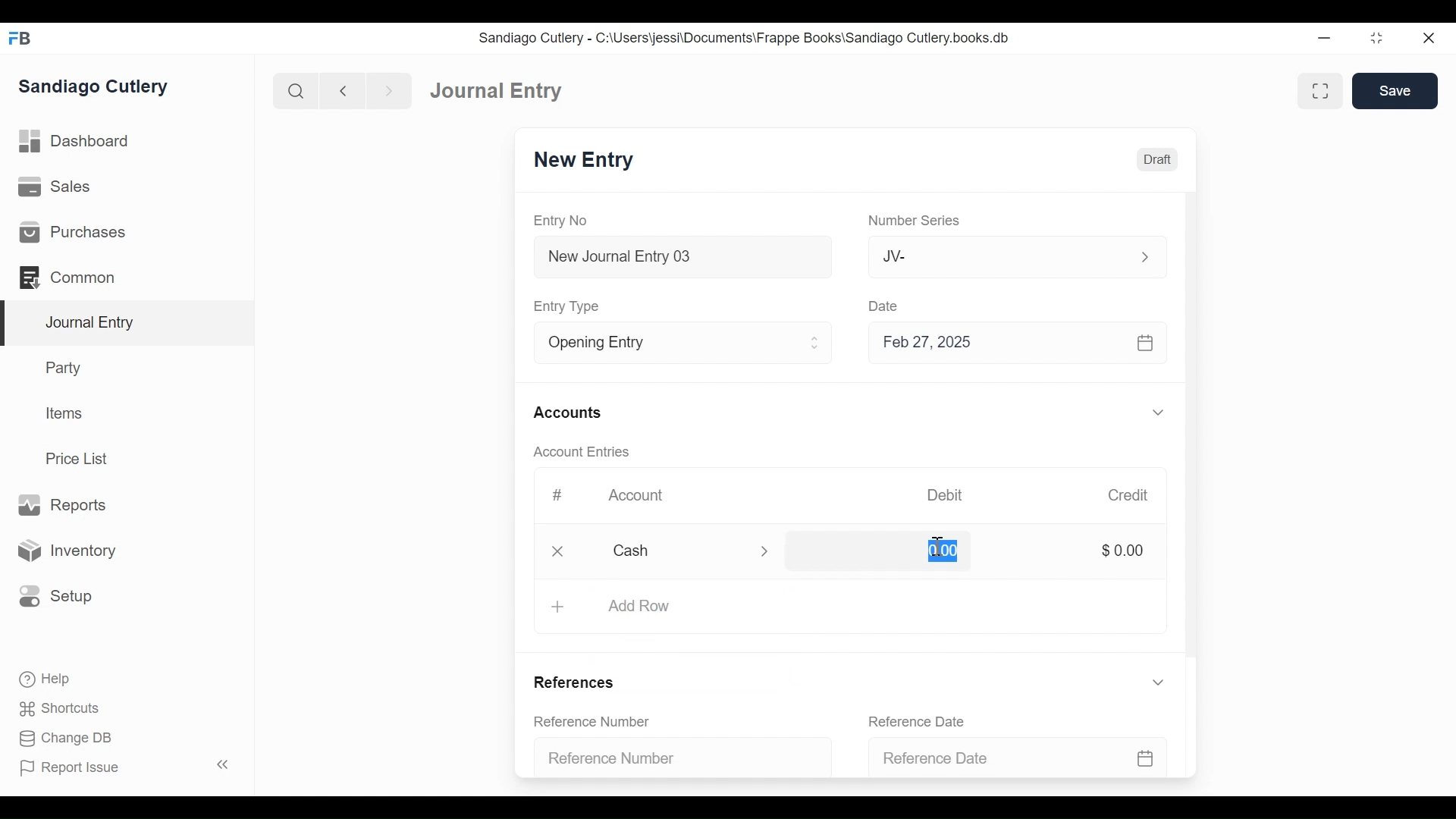 Image resolution: width=1456 pixels, height=819 pixels. Describe the element at coordinates (560, 551) in the screenshot. I see `Close` at that location.